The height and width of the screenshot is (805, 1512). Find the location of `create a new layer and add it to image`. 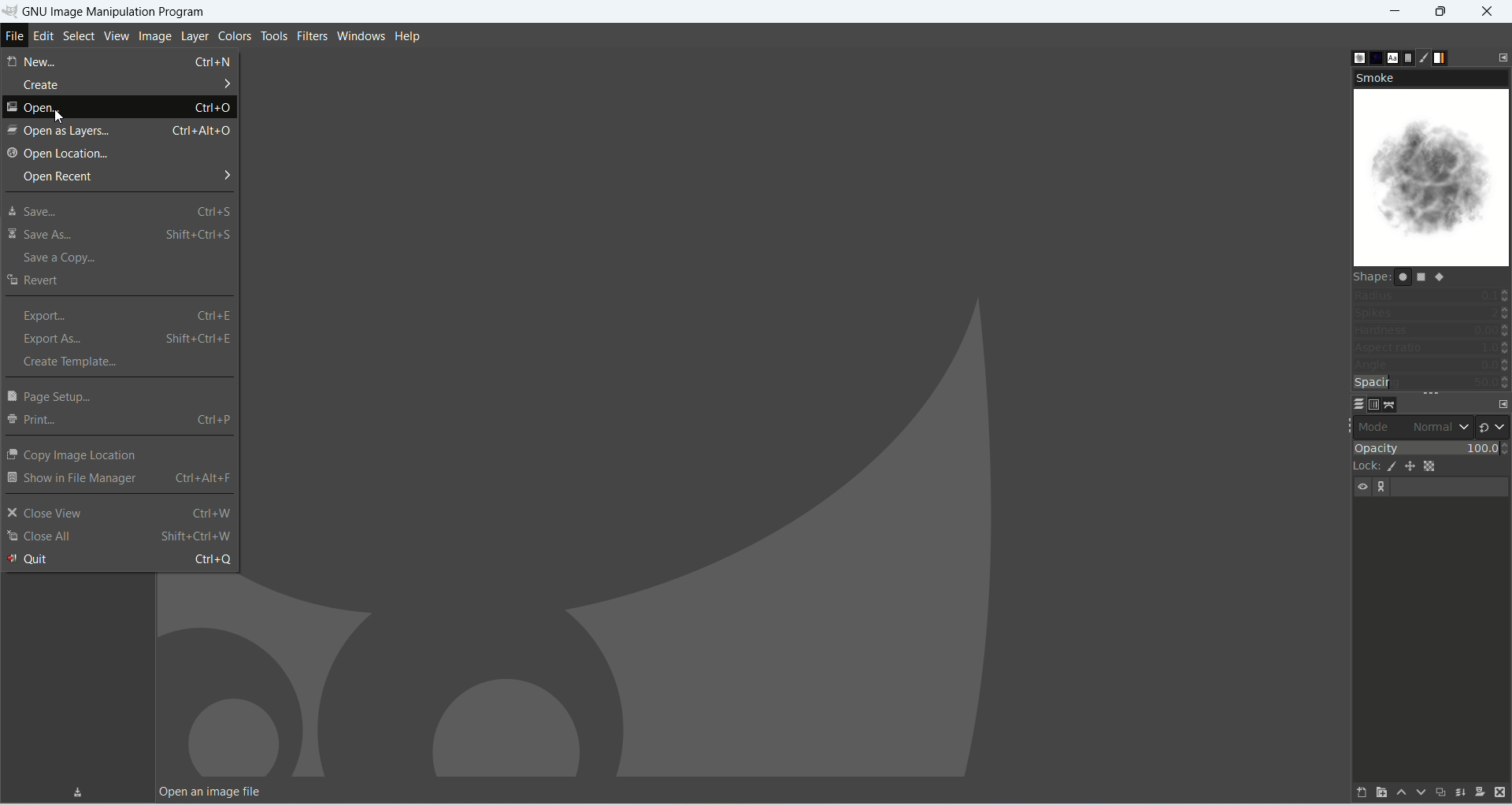

create a new layer and add it to image is located at coordinates (1361, 794).